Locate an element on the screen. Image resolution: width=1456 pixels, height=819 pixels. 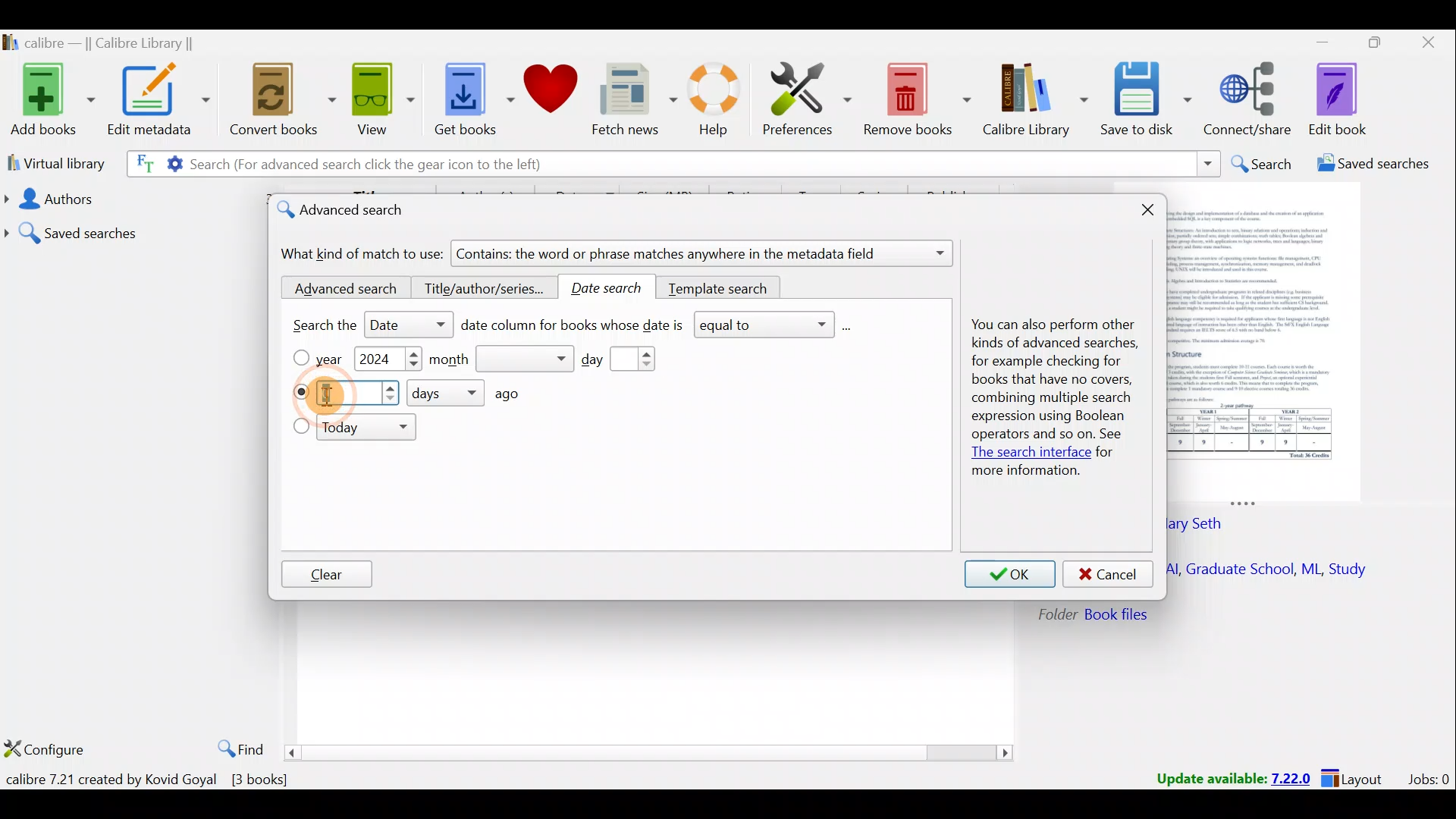
Advanced search is located at coordinates (340, 289).